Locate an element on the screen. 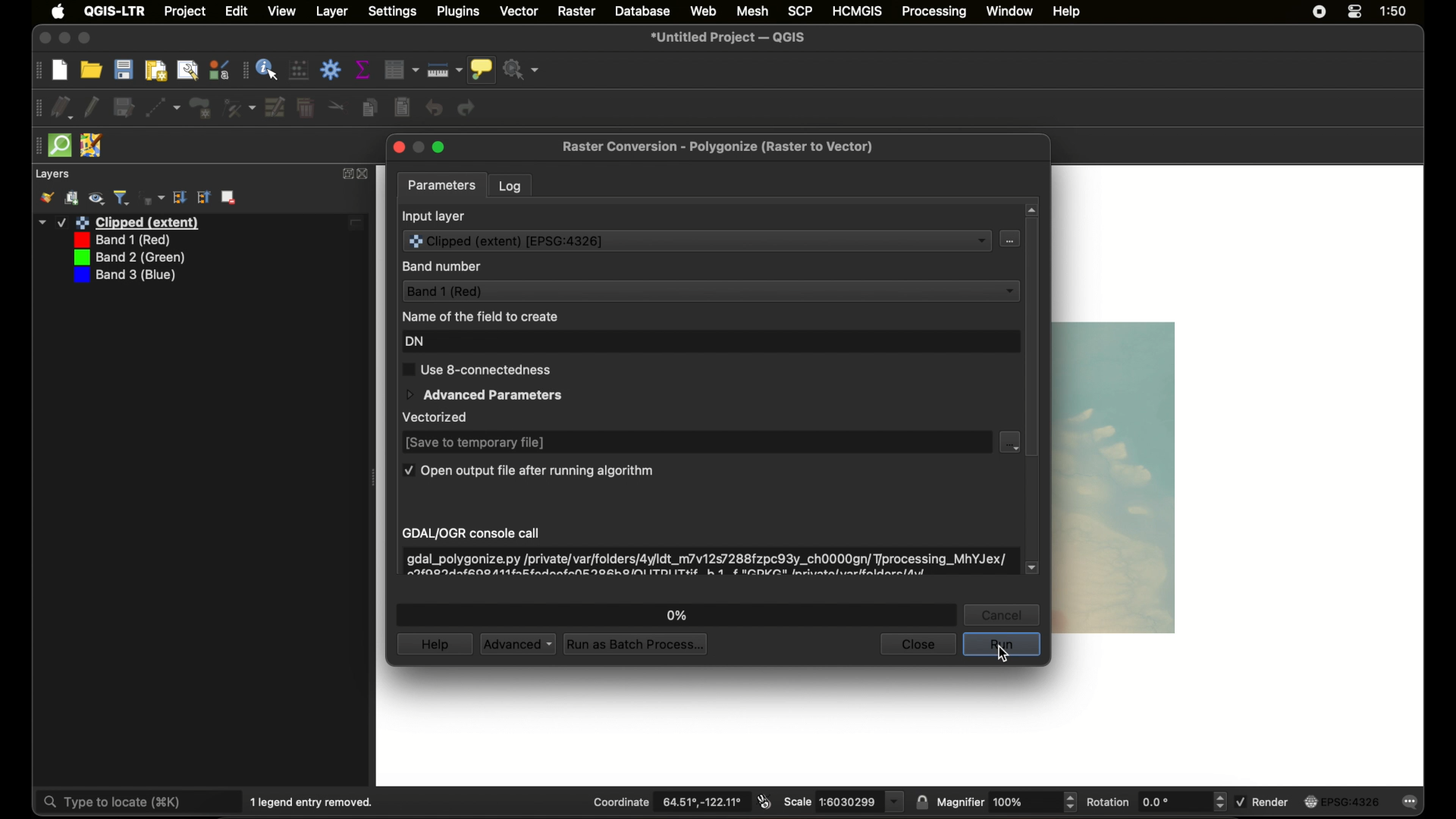 Image resolution: width=1456 pixels, height=819 pixels. HCMGIS is located at coordinates (857, 11).